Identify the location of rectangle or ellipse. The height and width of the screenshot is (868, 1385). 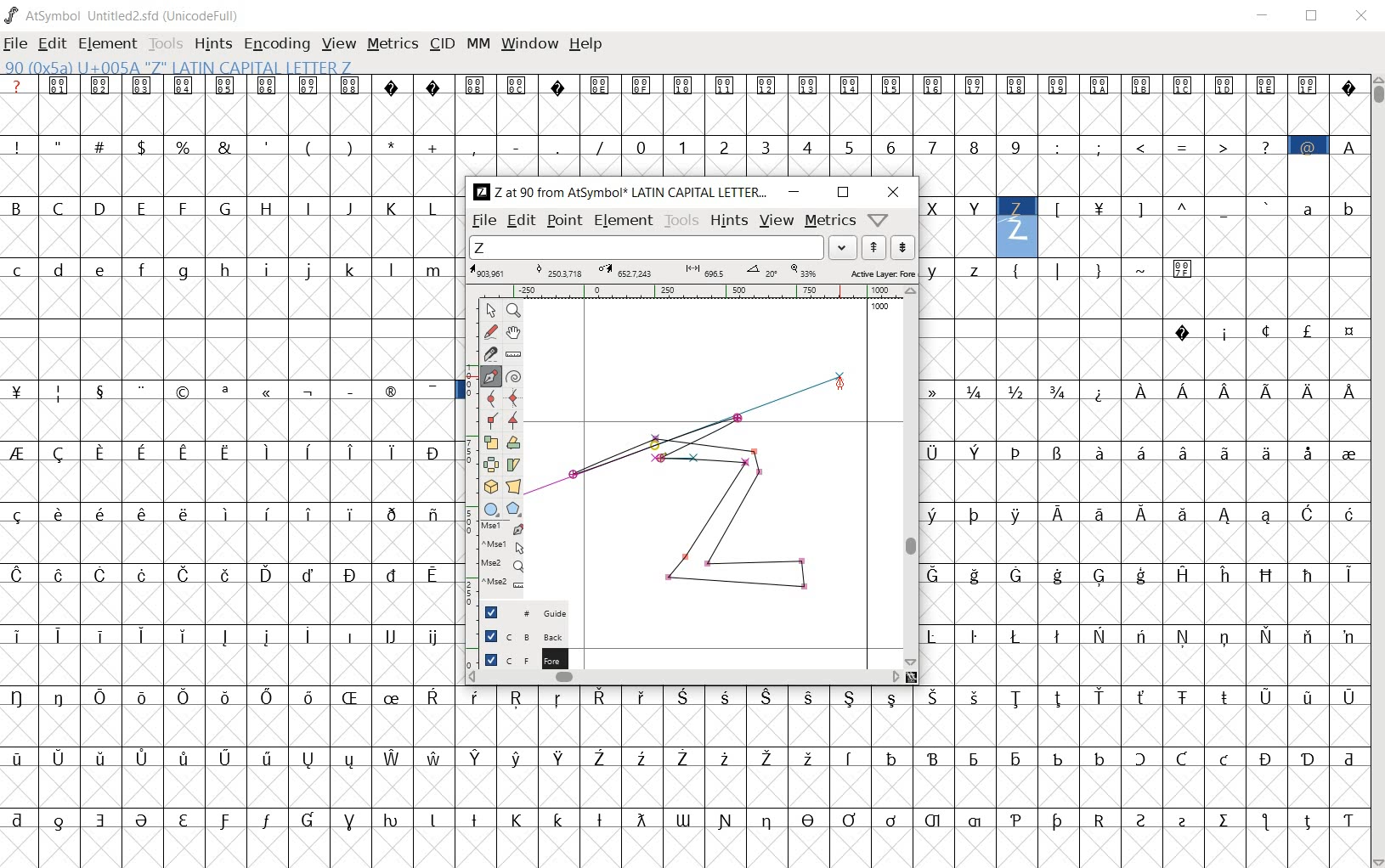
(491, 509).